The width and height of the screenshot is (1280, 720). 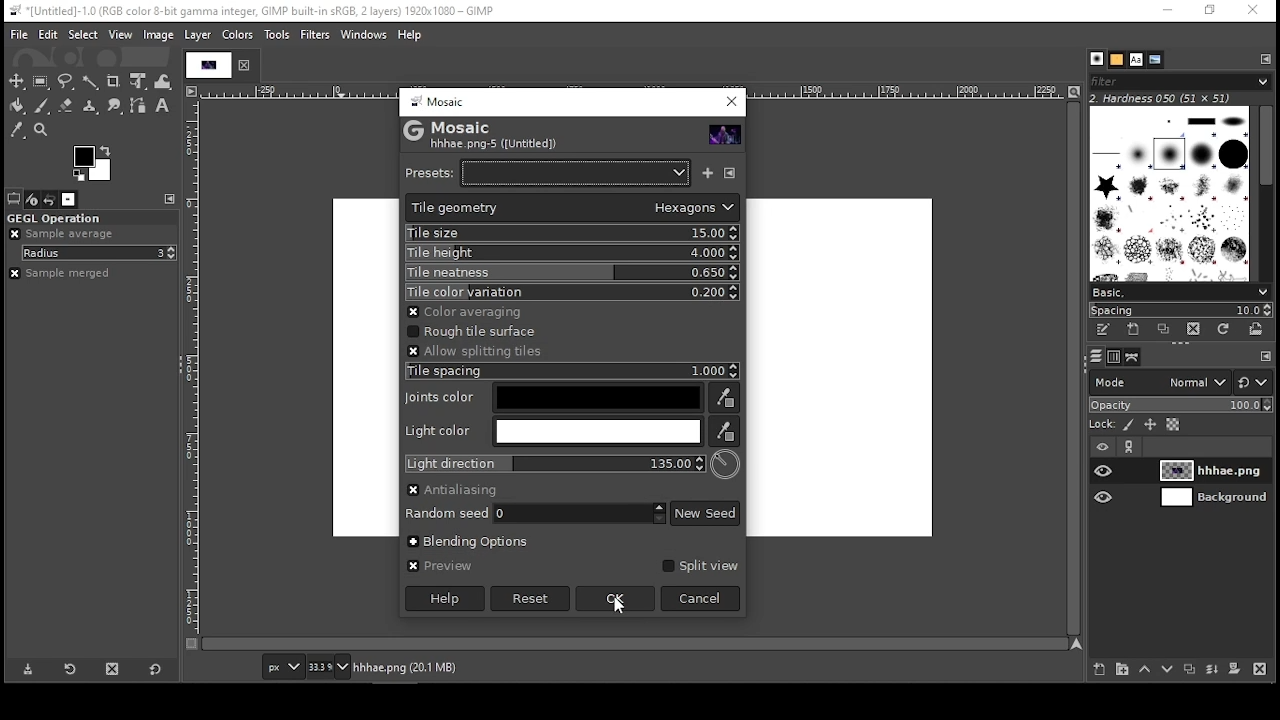 I want to click on heal tool, so click(x=92, y=107).